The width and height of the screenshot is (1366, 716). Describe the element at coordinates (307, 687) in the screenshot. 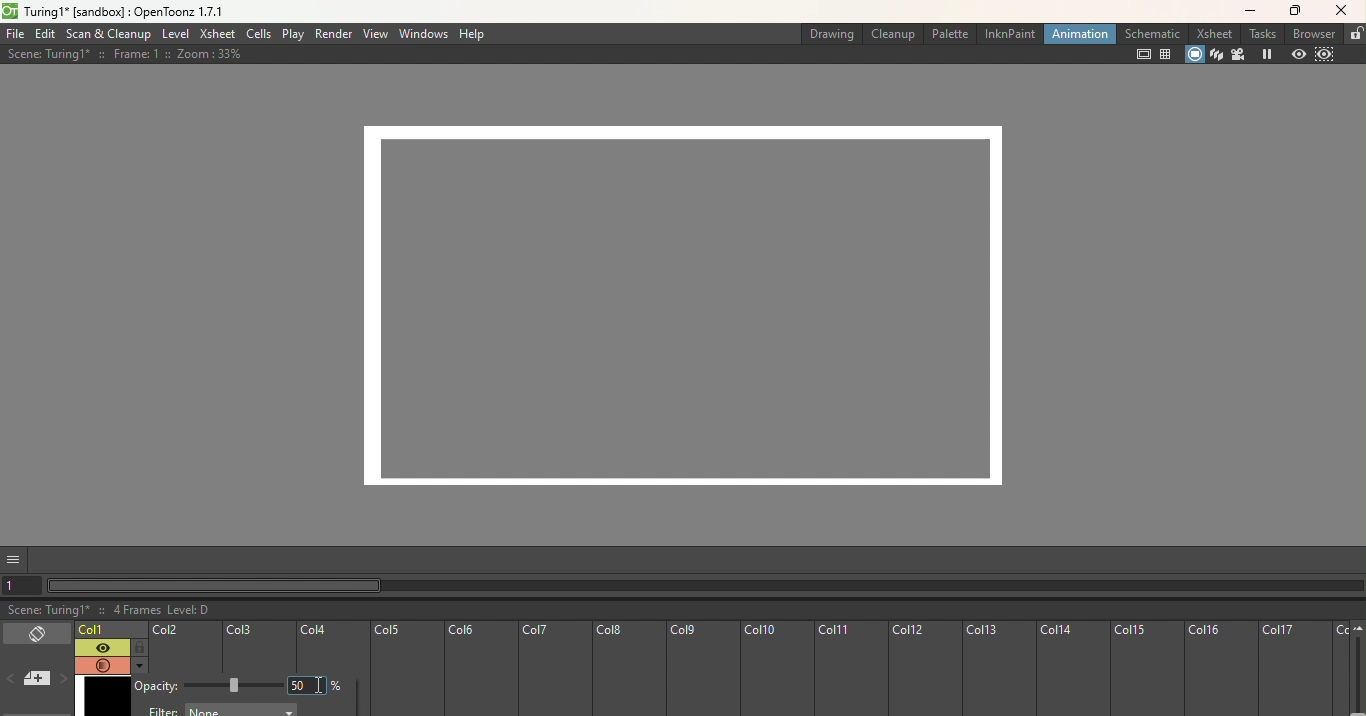

I see `Type` at that location.